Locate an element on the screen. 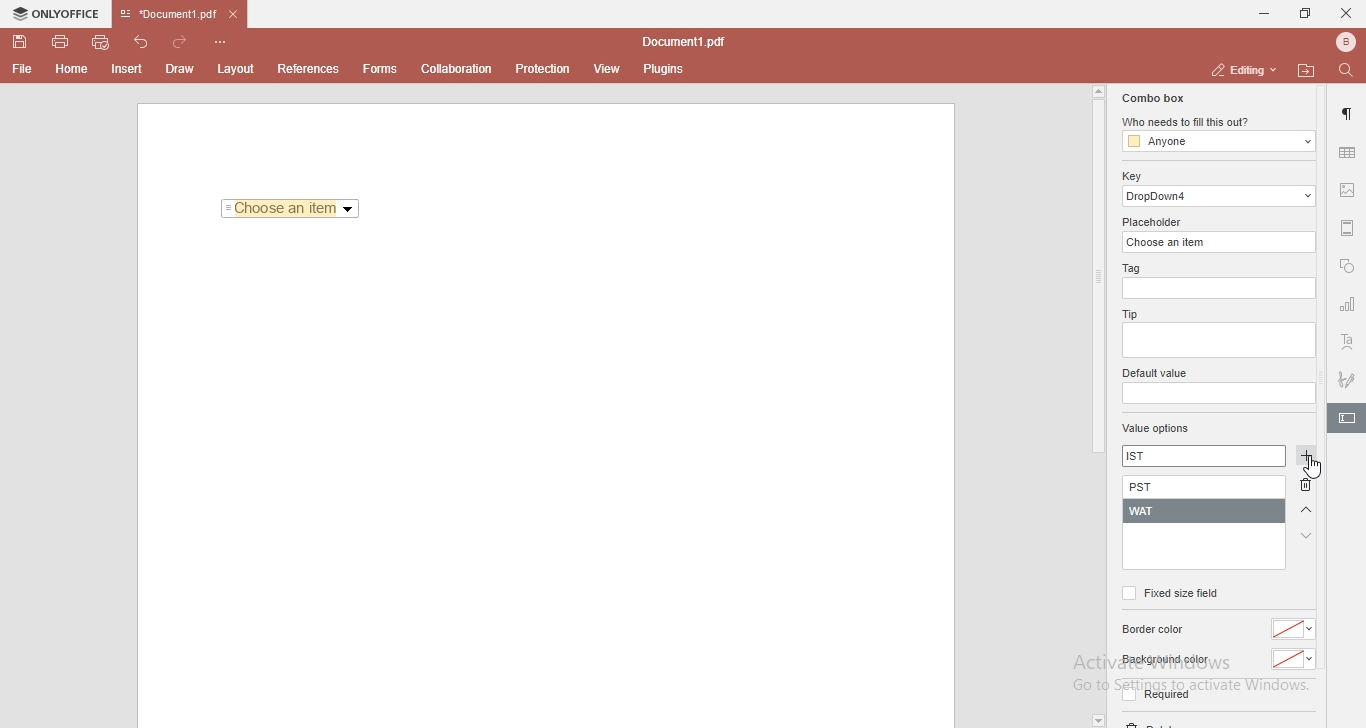 This screenshot has height=728, width=1366. image is located at coordinates (1349, 192).